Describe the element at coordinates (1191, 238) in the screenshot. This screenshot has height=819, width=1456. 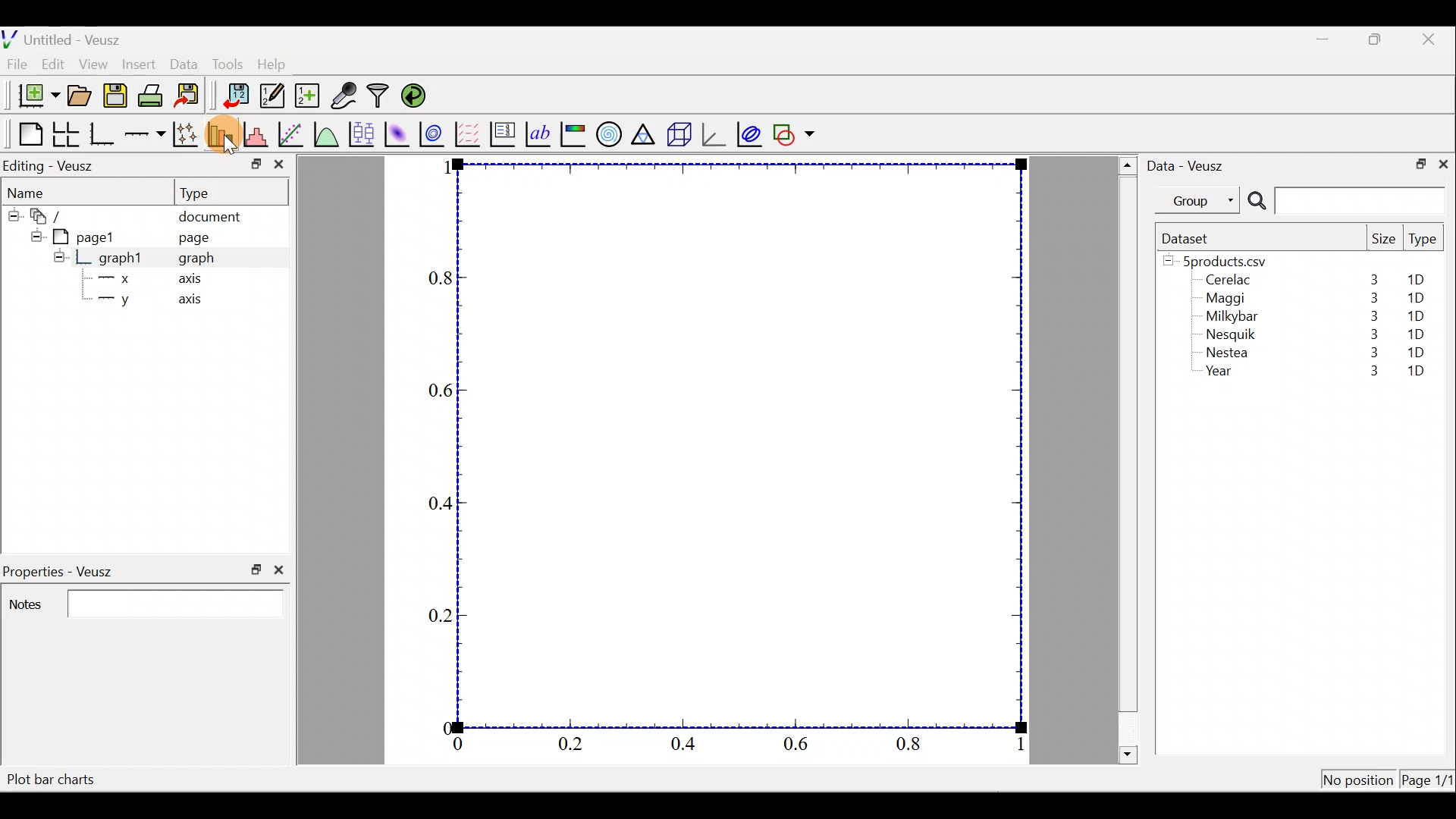
I see `Dataset` at that location.